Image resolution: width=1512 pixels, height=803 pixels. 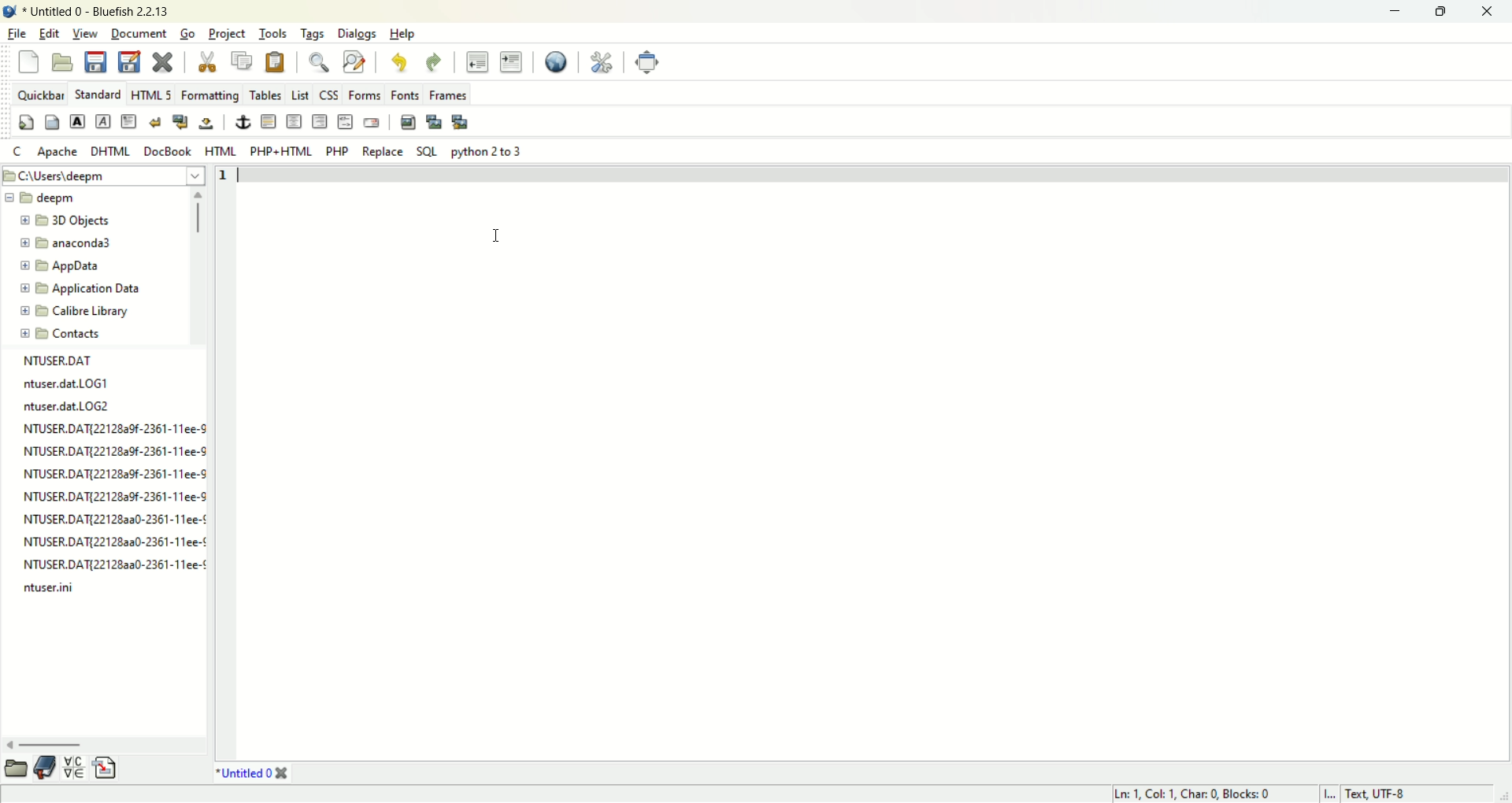 I want to click on cursor, so click(x=495, y=235).